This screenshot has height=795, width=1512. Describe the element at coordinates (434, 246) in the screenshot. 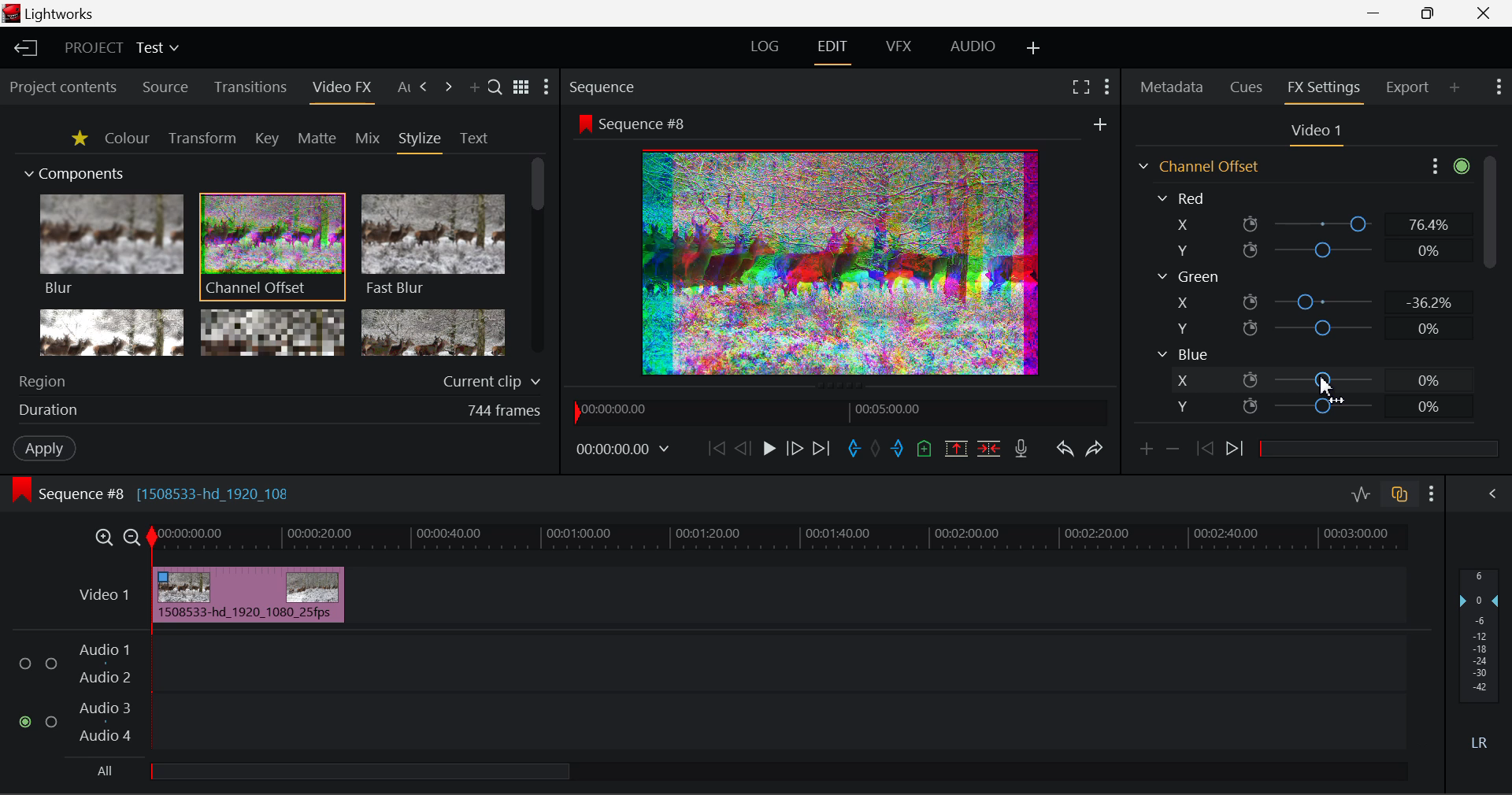

I see `Fast Blur` at that location.